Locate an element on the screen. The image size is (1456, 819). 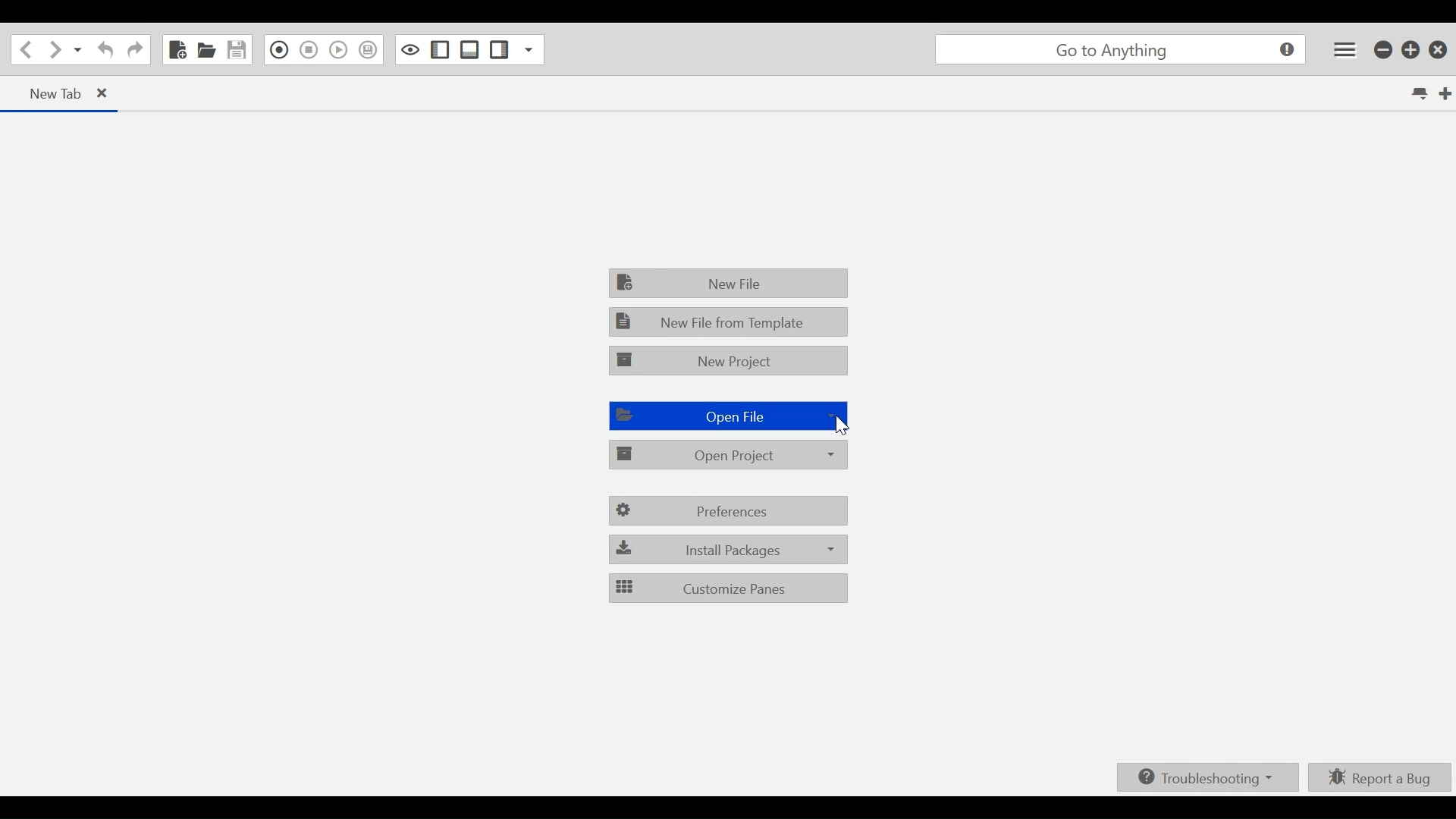
New Tab is located at coordinates (46, 93).